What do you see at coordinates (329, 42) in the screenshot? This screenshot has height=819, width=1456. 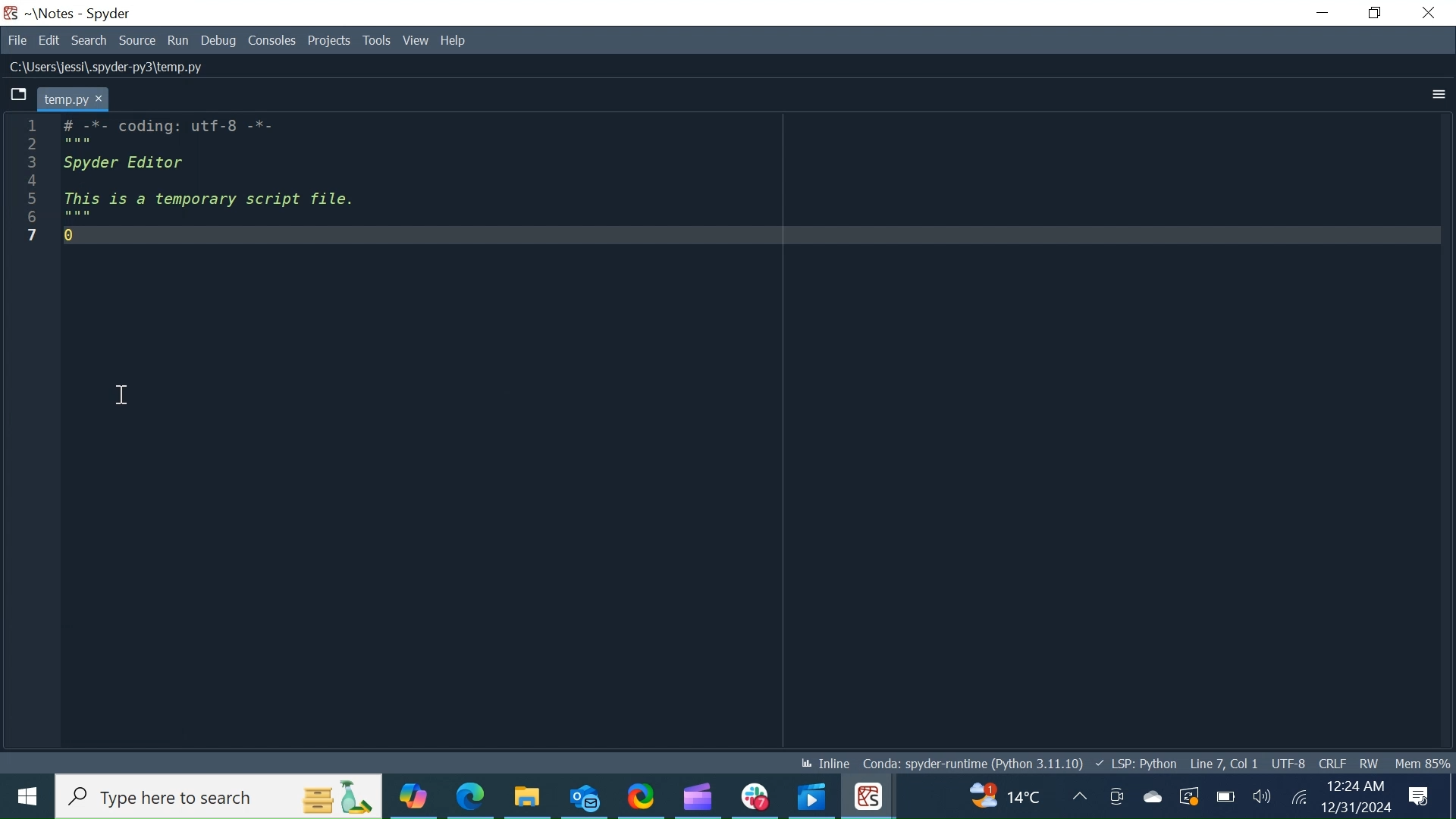 I see `Projects` at bounding box center [329, 42].